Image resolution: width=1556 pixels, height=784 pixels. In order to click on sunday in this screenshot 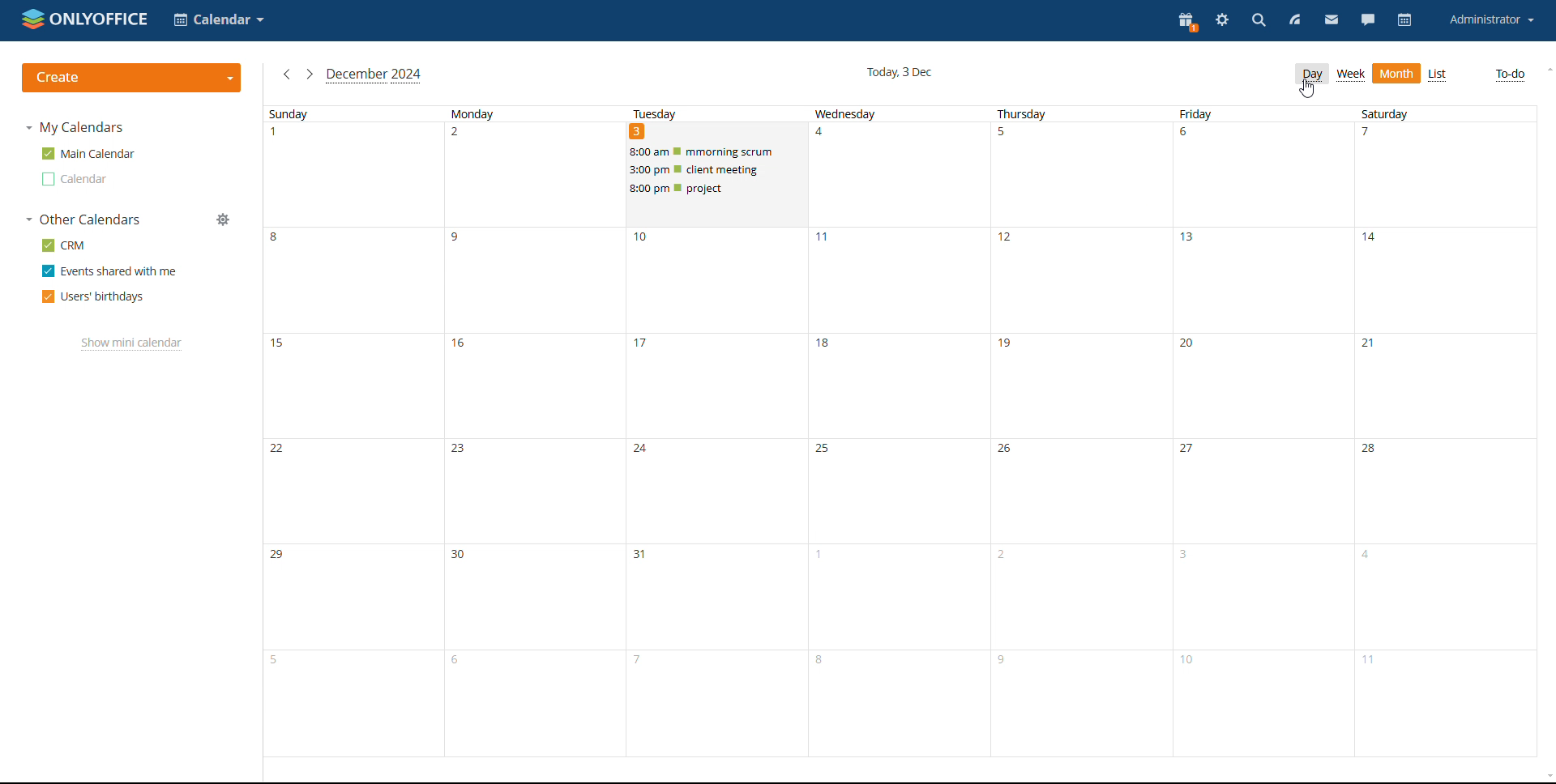, I will do `click(355, 432)`.